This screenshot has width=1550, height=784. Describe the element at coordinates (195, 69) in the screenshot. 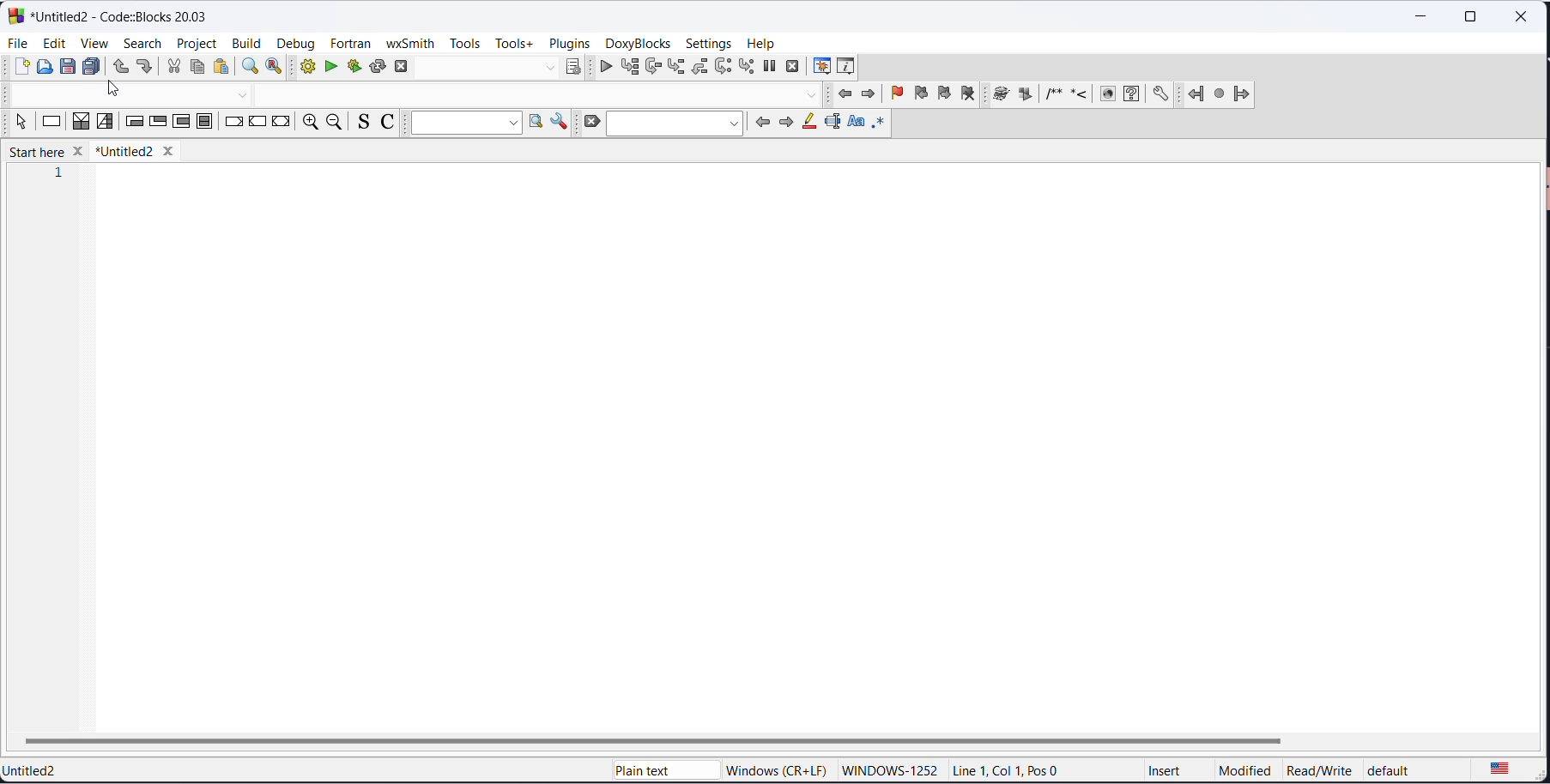

I see `copy` at that location.